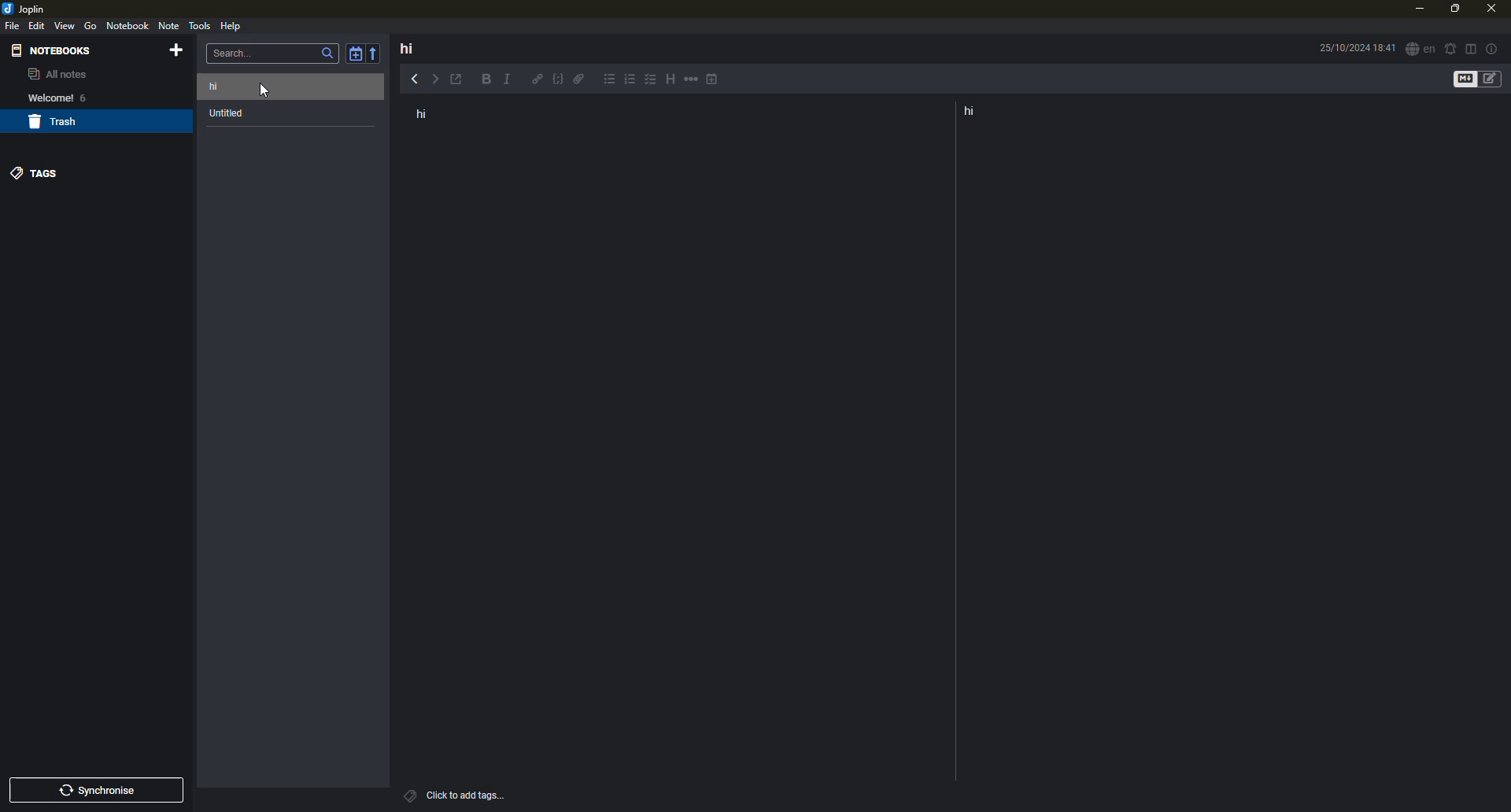 Image resolution: width=1511 pixels, height=812 pixels. Describe the element at coordinates (89, 97) in the screenshot. I see `6` at that location.